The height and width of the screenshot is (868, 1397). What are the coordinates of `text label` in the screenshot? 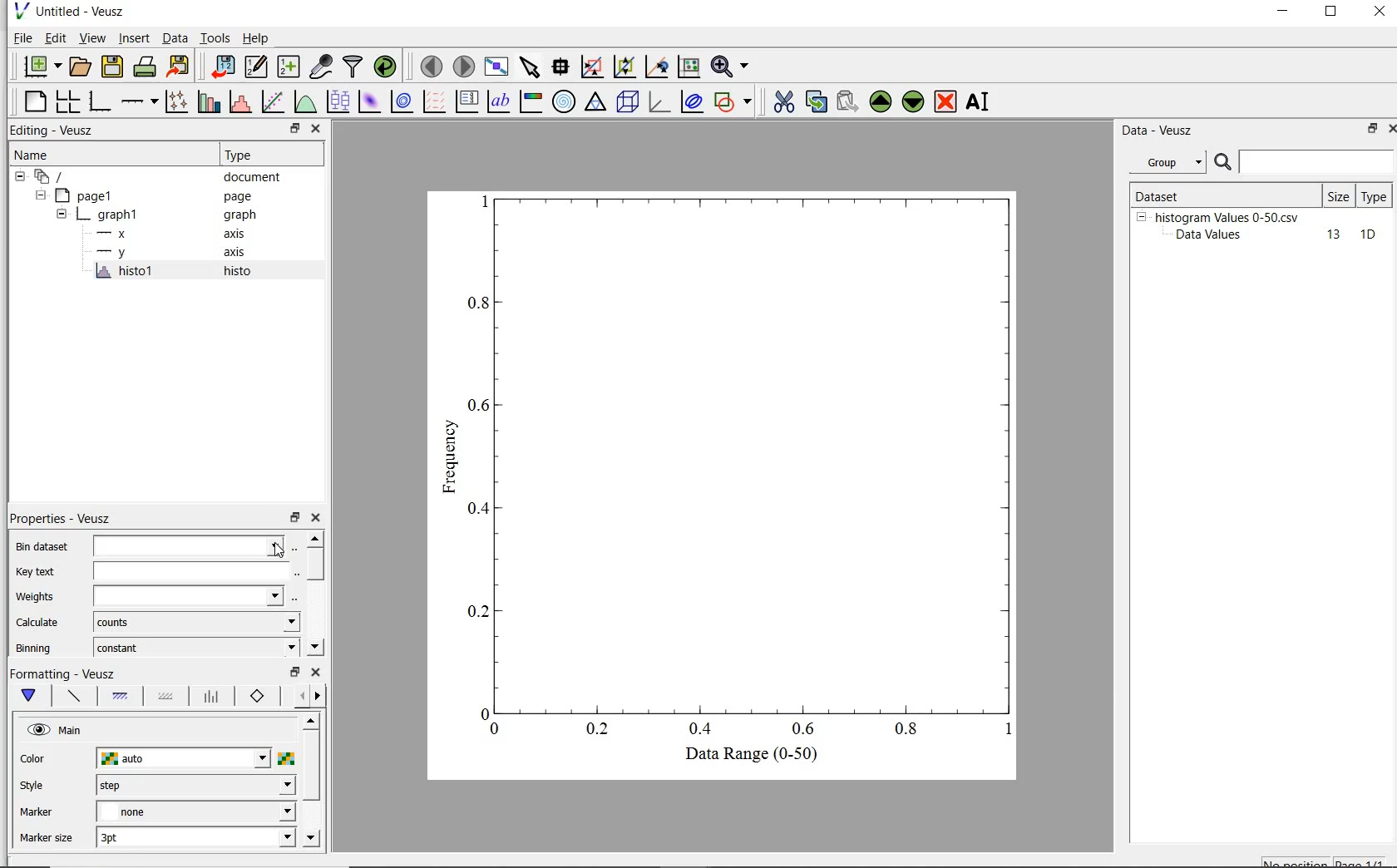 It's located at (501, 100).